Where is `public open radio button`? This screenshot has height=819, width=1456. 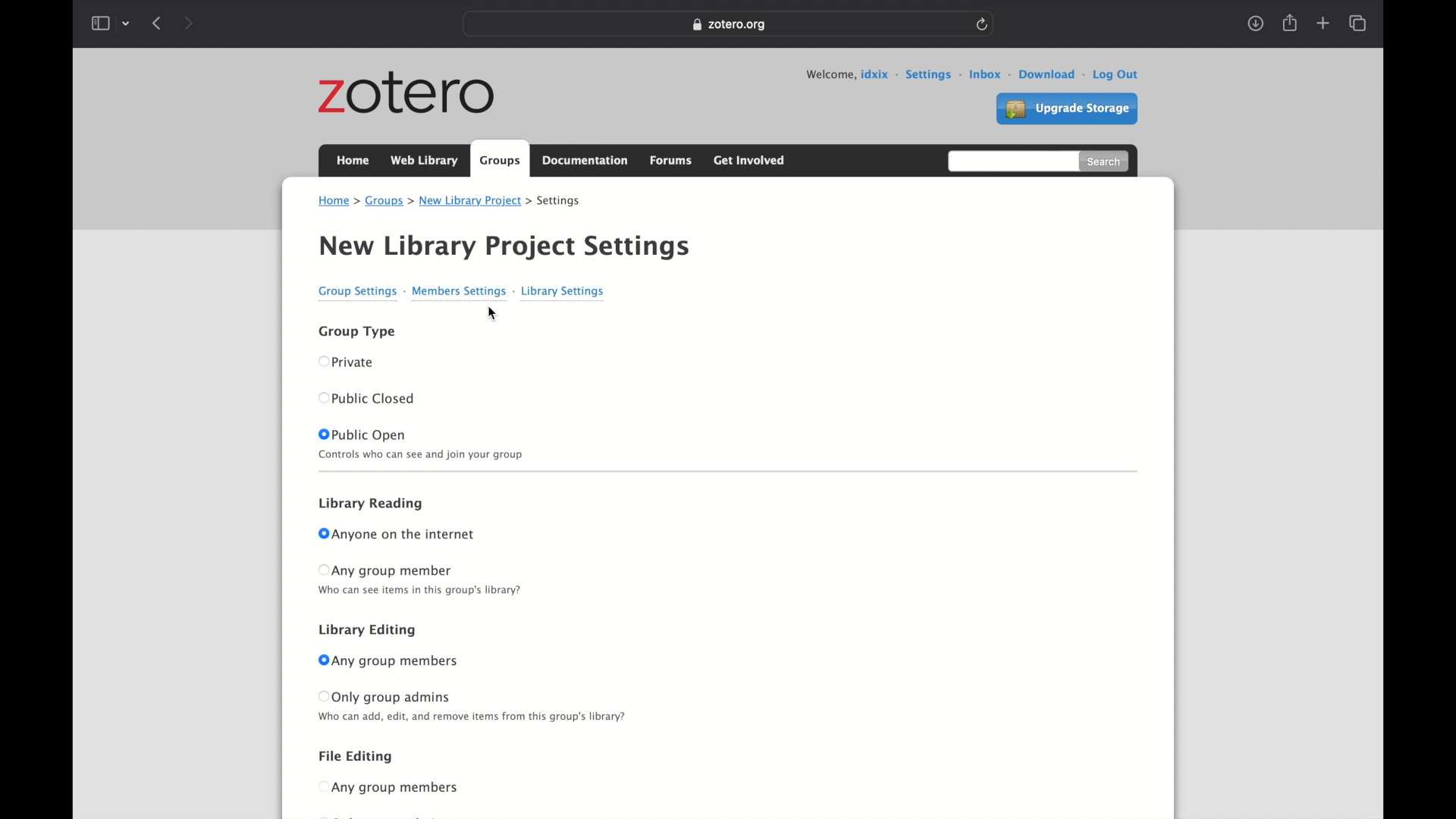
public open radio button is located at coordinates (370, 433).